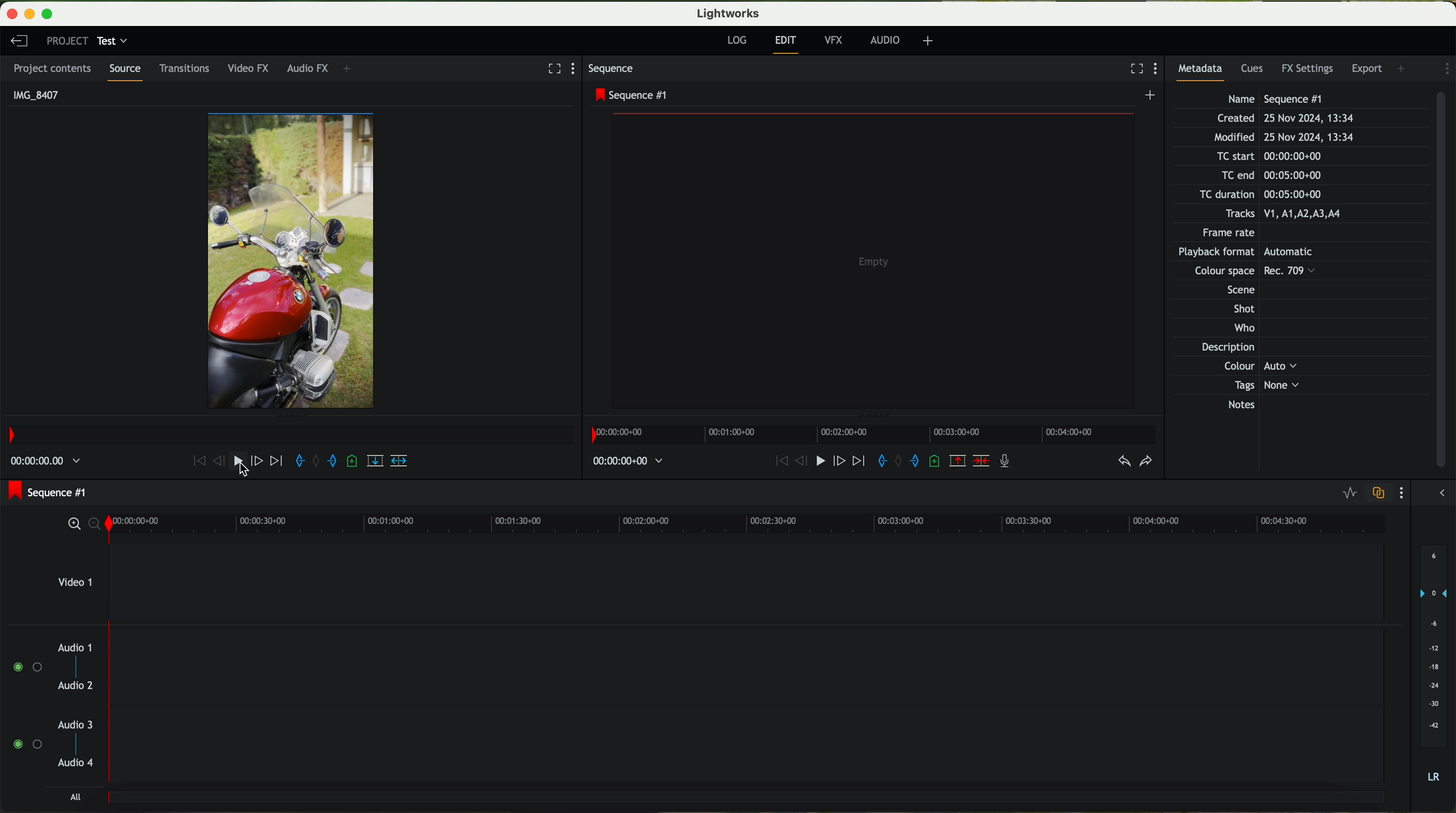  I want to click on , so click(1258, 366).